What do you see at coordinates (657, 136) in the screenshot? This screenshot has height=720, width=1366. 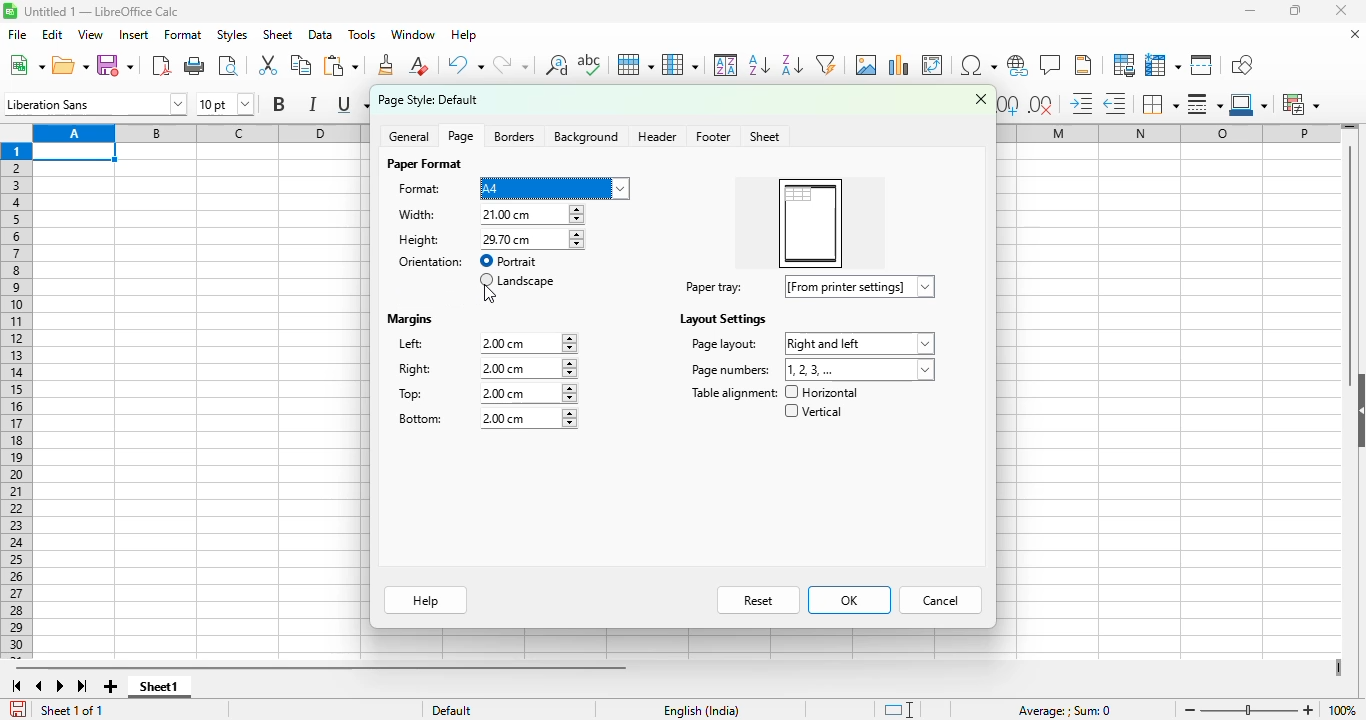 I see `header` at bounding box center [657, 136].